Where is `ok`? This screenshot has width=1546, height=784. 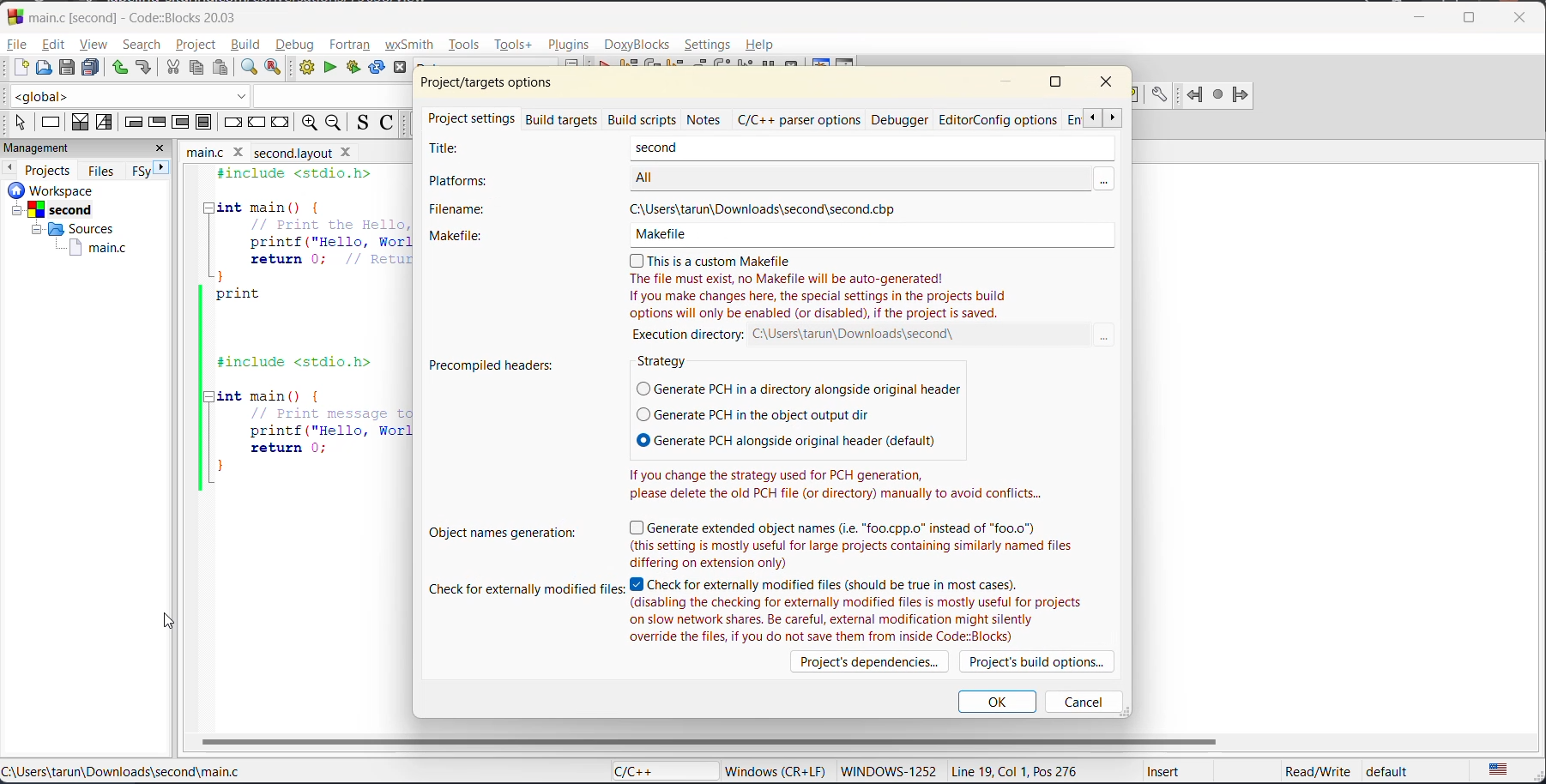
ok is located at coordinates (999, 703).